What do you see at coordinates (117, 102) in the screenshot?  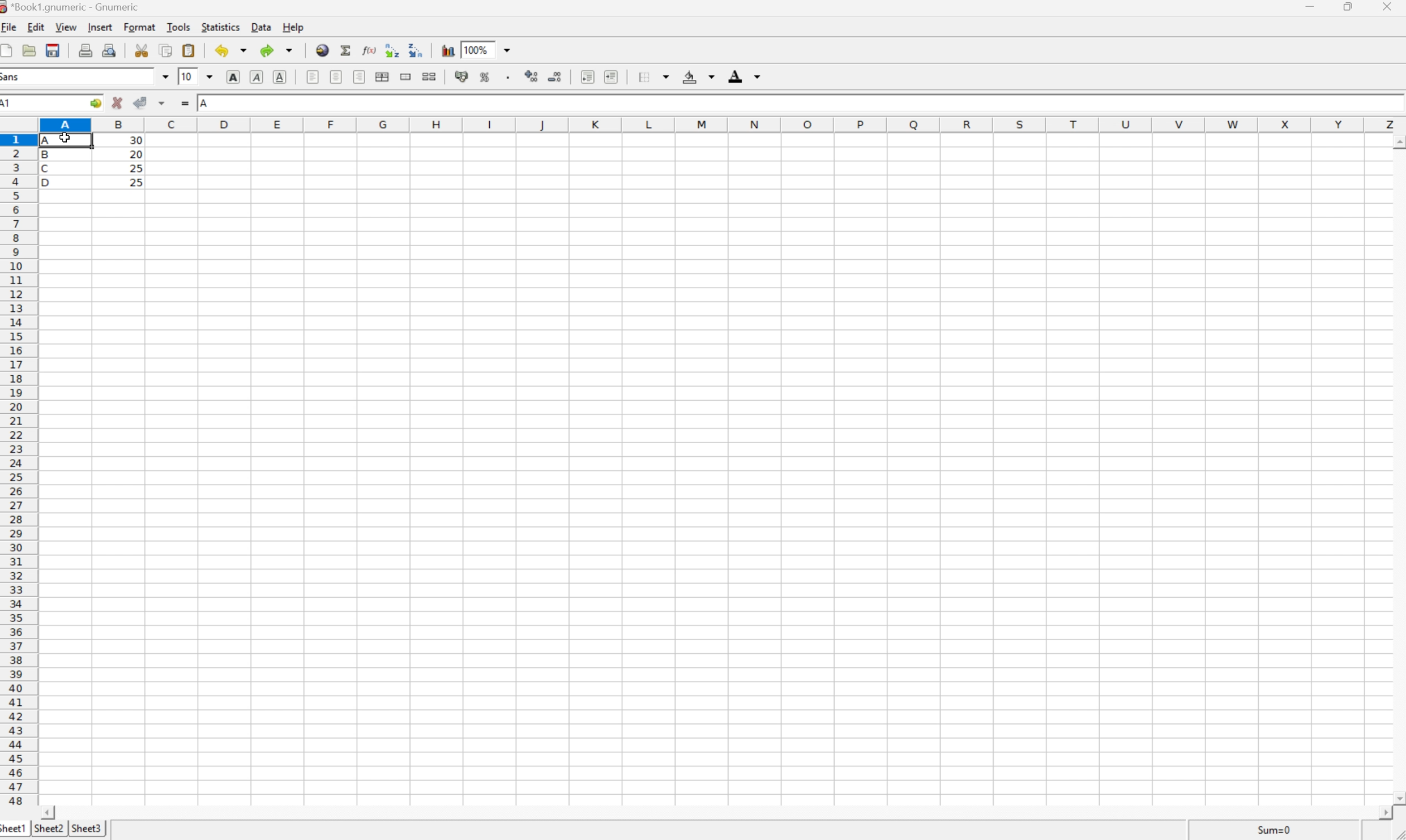 I see `Cancel changes` at bounding box center [117, 102].